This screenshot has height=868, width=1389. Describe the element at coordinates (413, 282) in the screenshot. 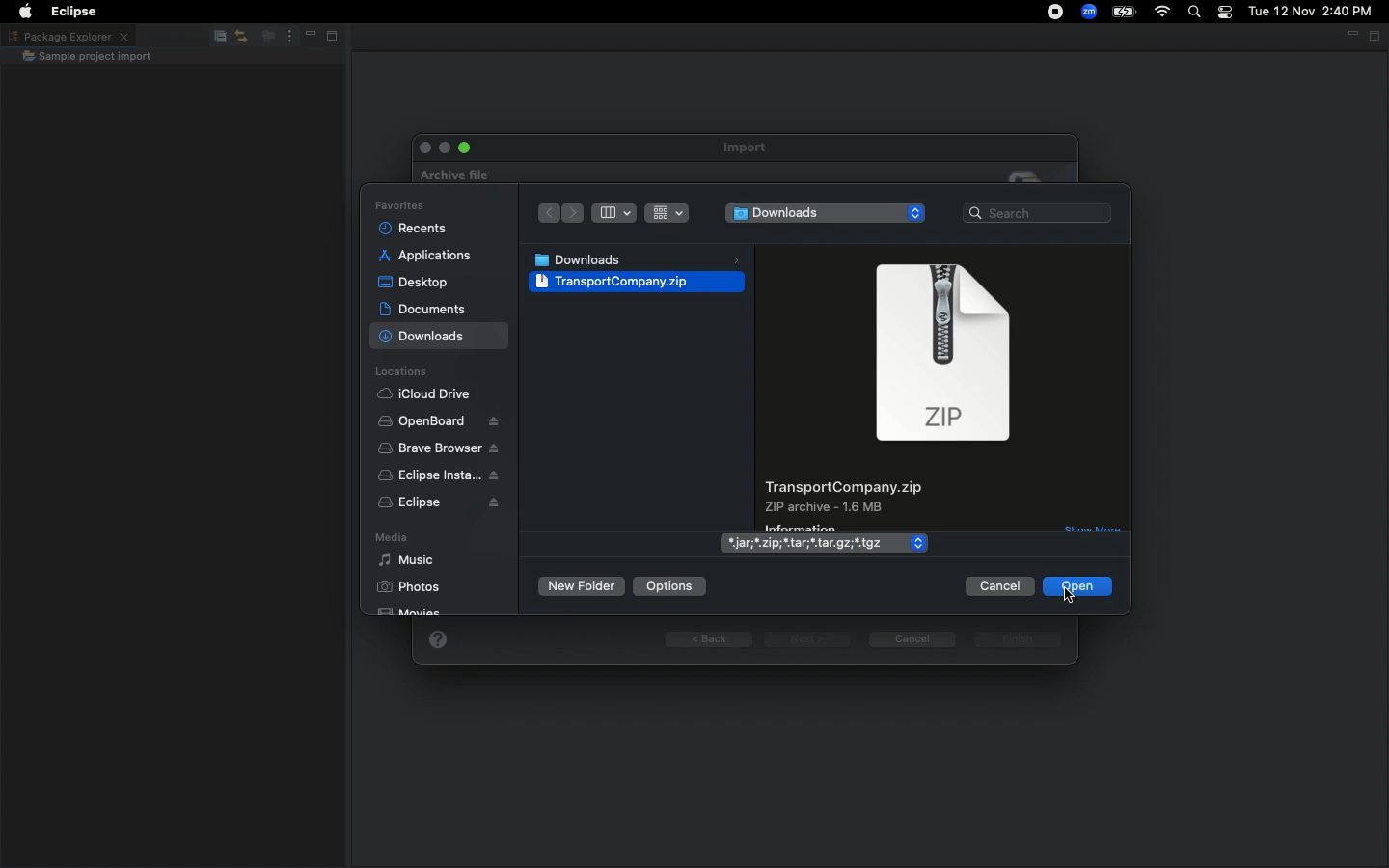

I see `Desktop` at that location.